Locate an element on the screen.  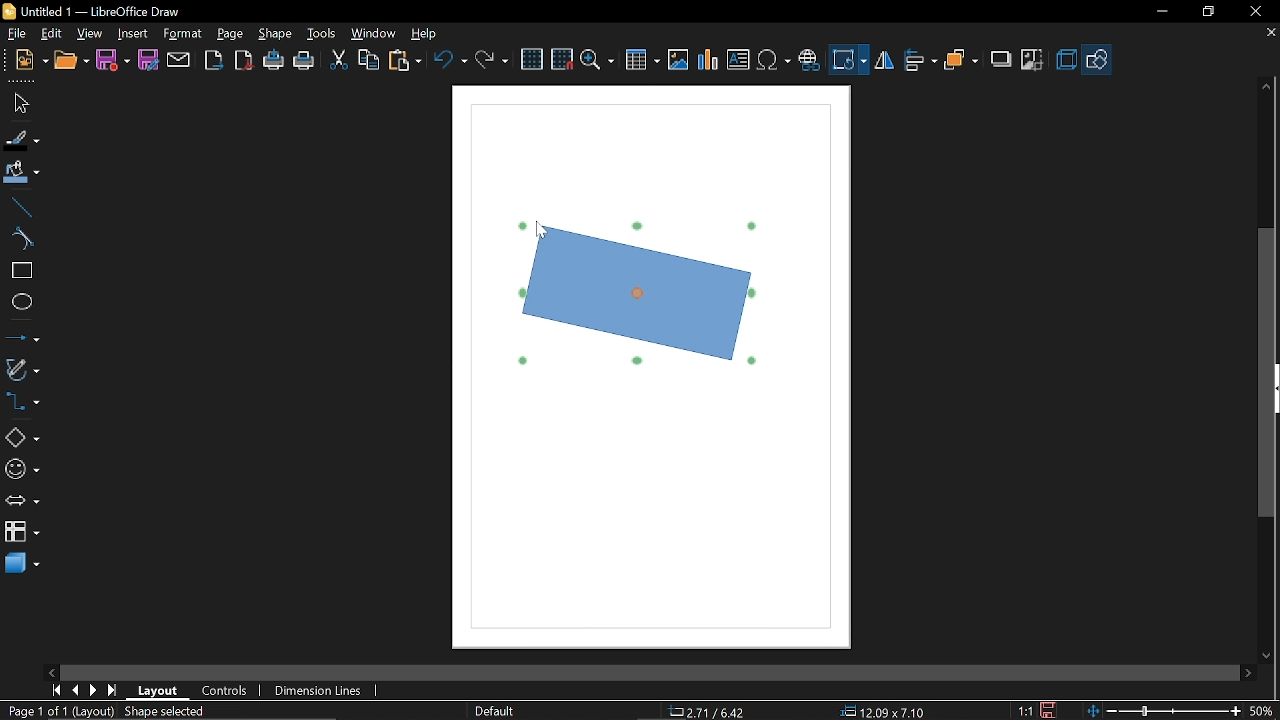
dimension lines is located at coordinates (318, 690).